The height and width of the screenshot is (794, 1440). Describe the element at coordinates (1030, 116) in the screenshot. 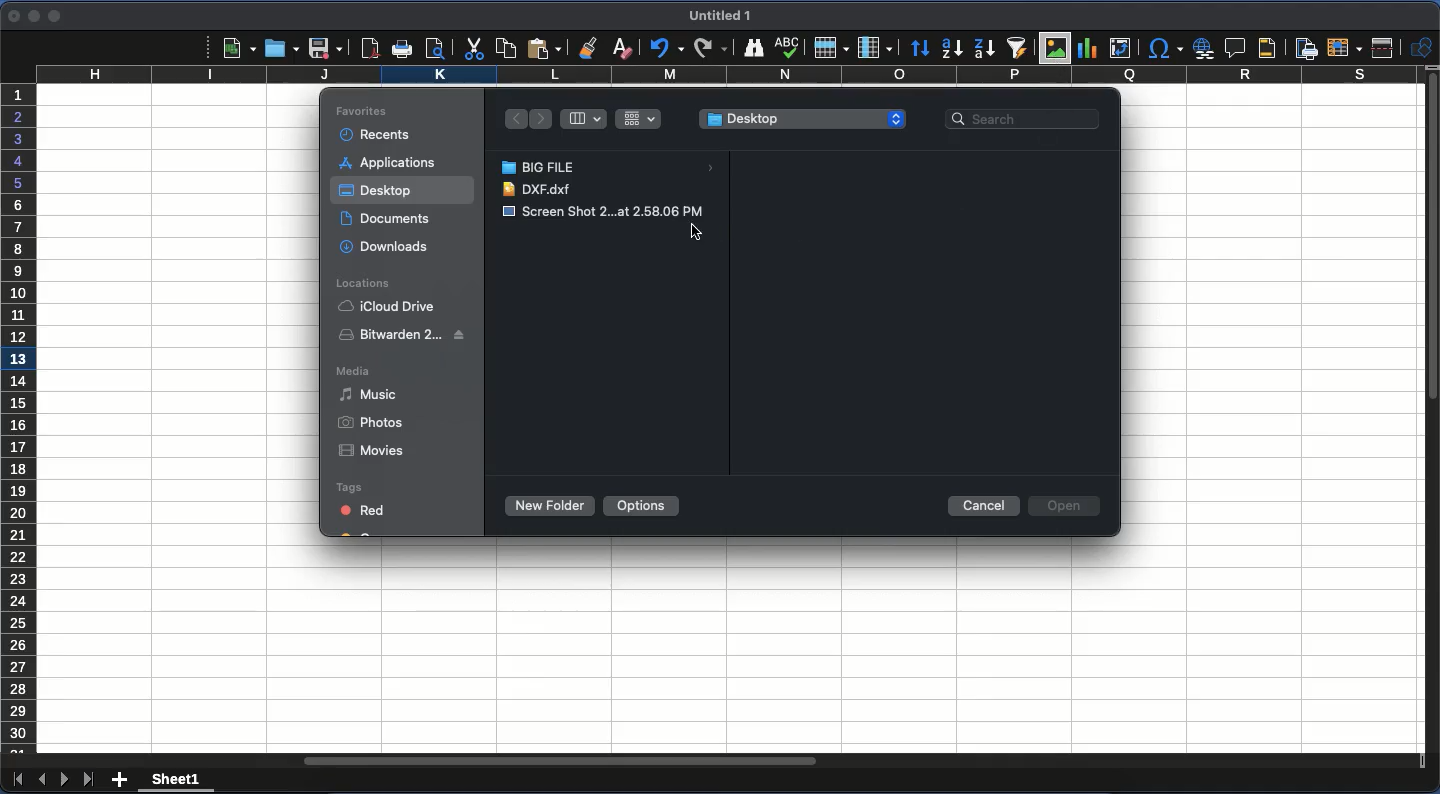

I see `search` at that location.